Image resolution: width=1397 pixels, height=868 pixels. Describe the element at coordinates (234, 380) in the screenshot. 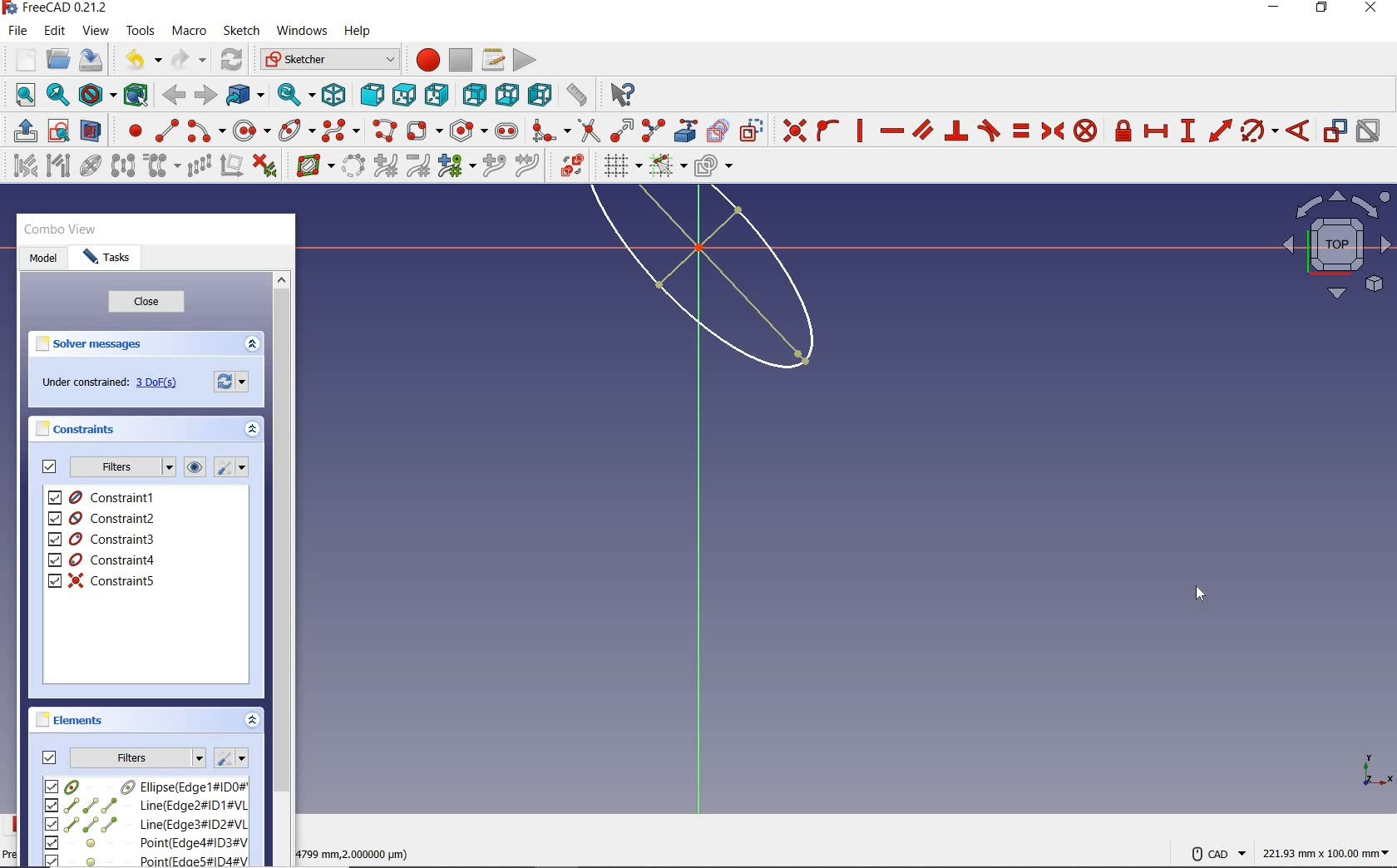

I see `settings` at that location.